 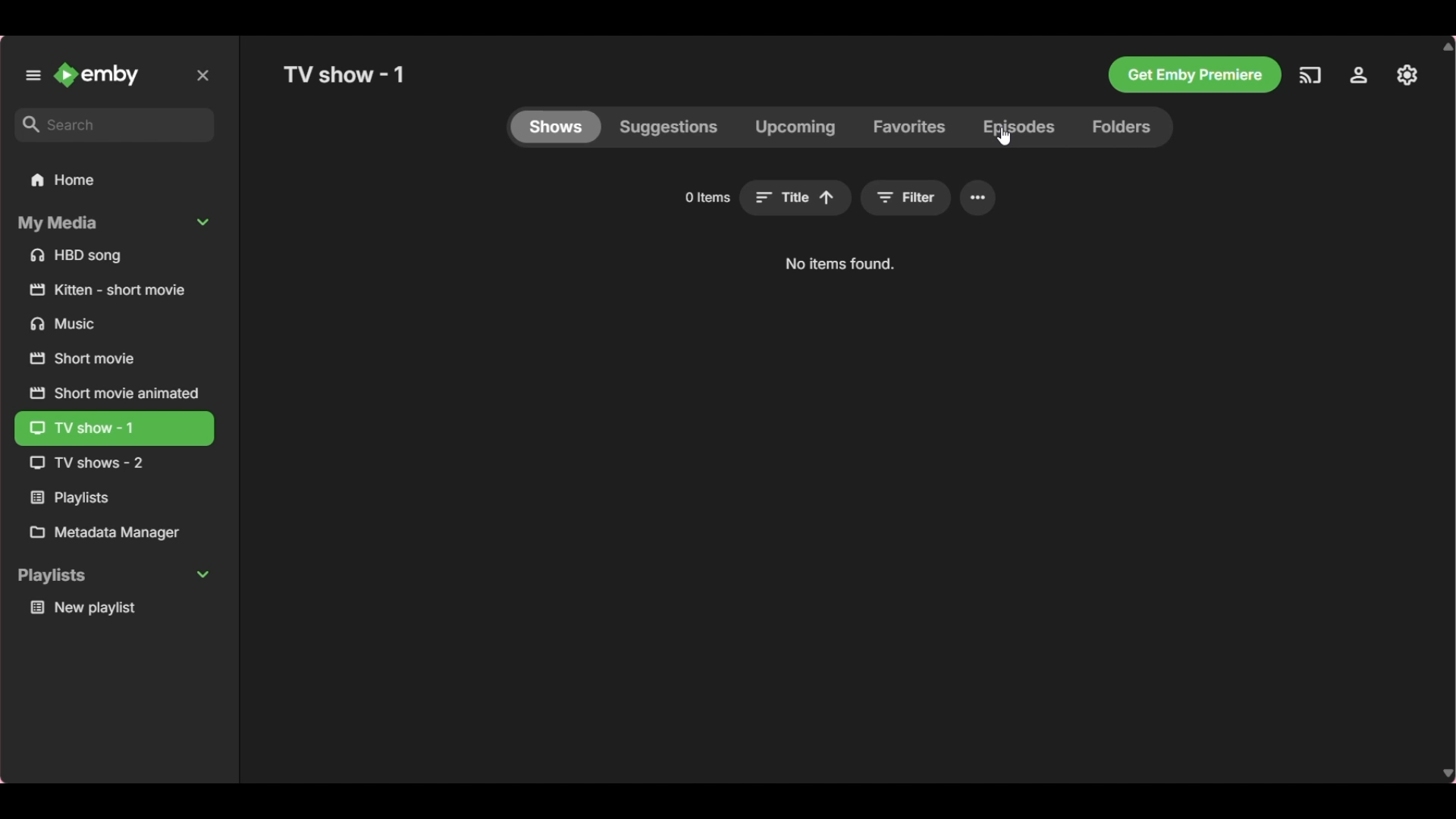 What do you see at coordinates (115, 290) in the screenshot?
I see `Short film` at bounding box center [115, 290].